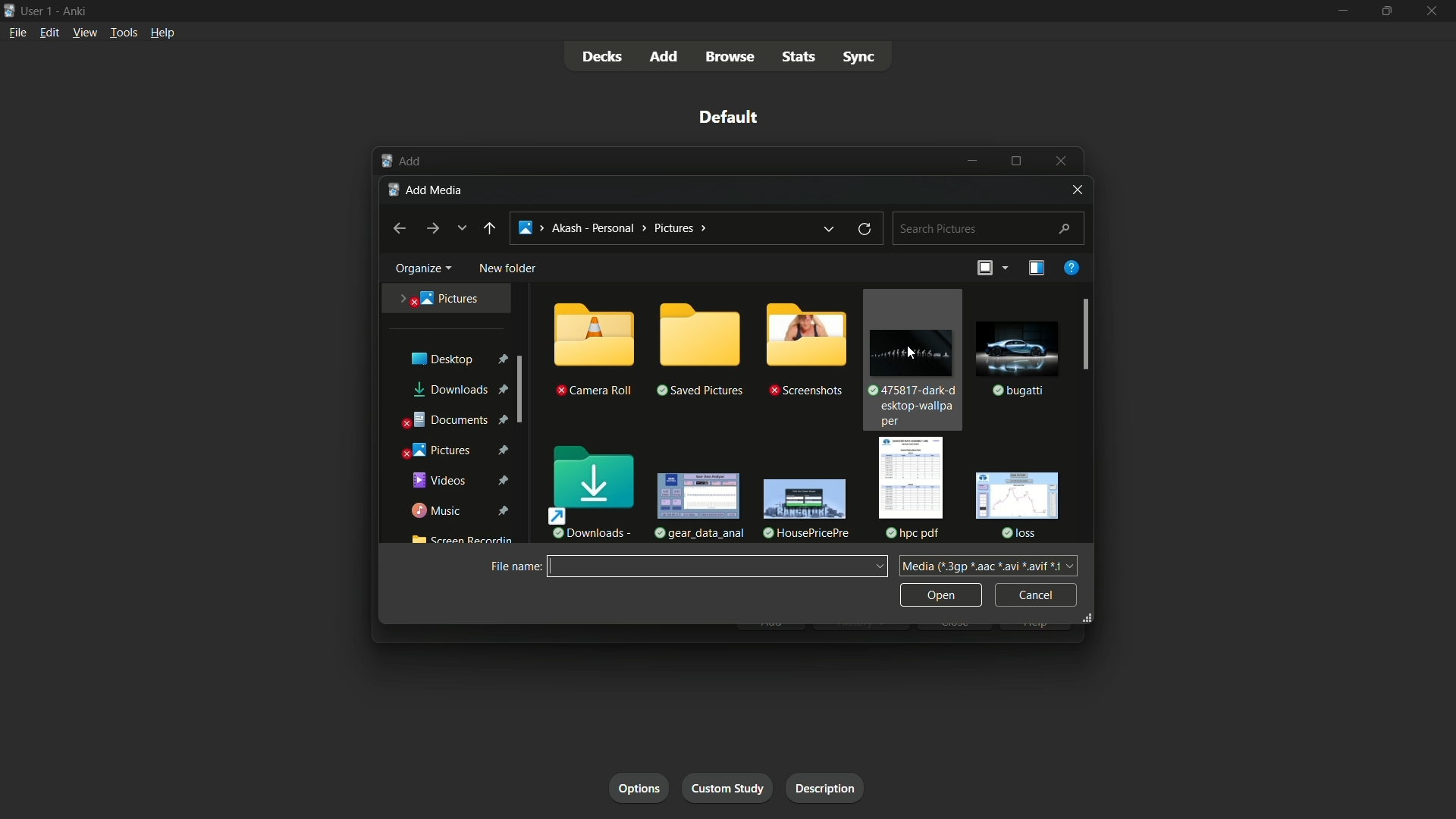 Image resolution: width=1456 pixels, height=819 pixels. I want to click on documents, so click(453, 421).